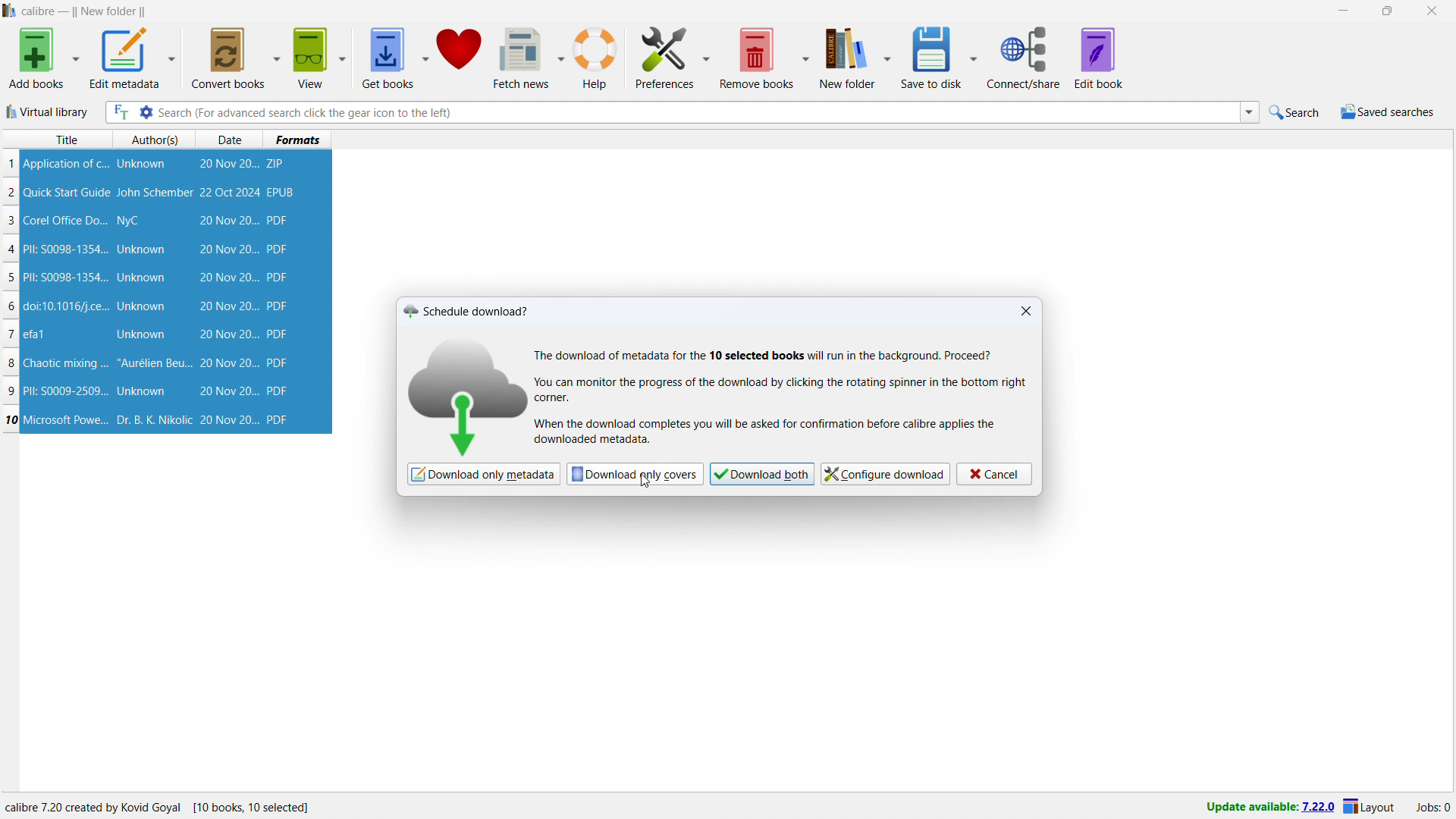 The width and height of the screenshot is (1456, 819). Describe the element at coordinates (68, 306) in the screenshot. I see `doi:10.1016/j.ce...` at that location.